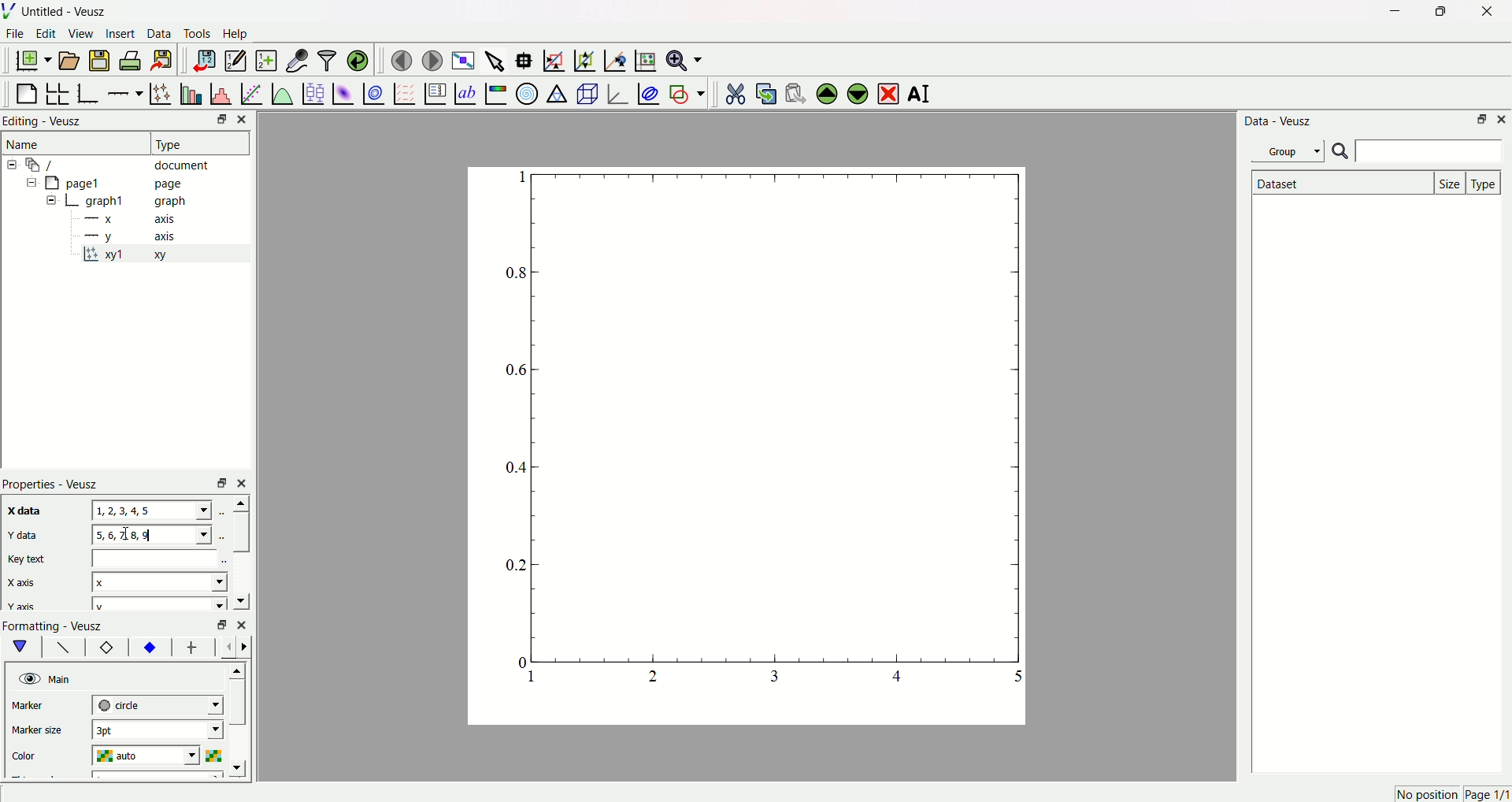 This screenshot has height=802, width=1512. Describe the element at coordinates (160, 581) in the screenshot. I see `x` at that location.